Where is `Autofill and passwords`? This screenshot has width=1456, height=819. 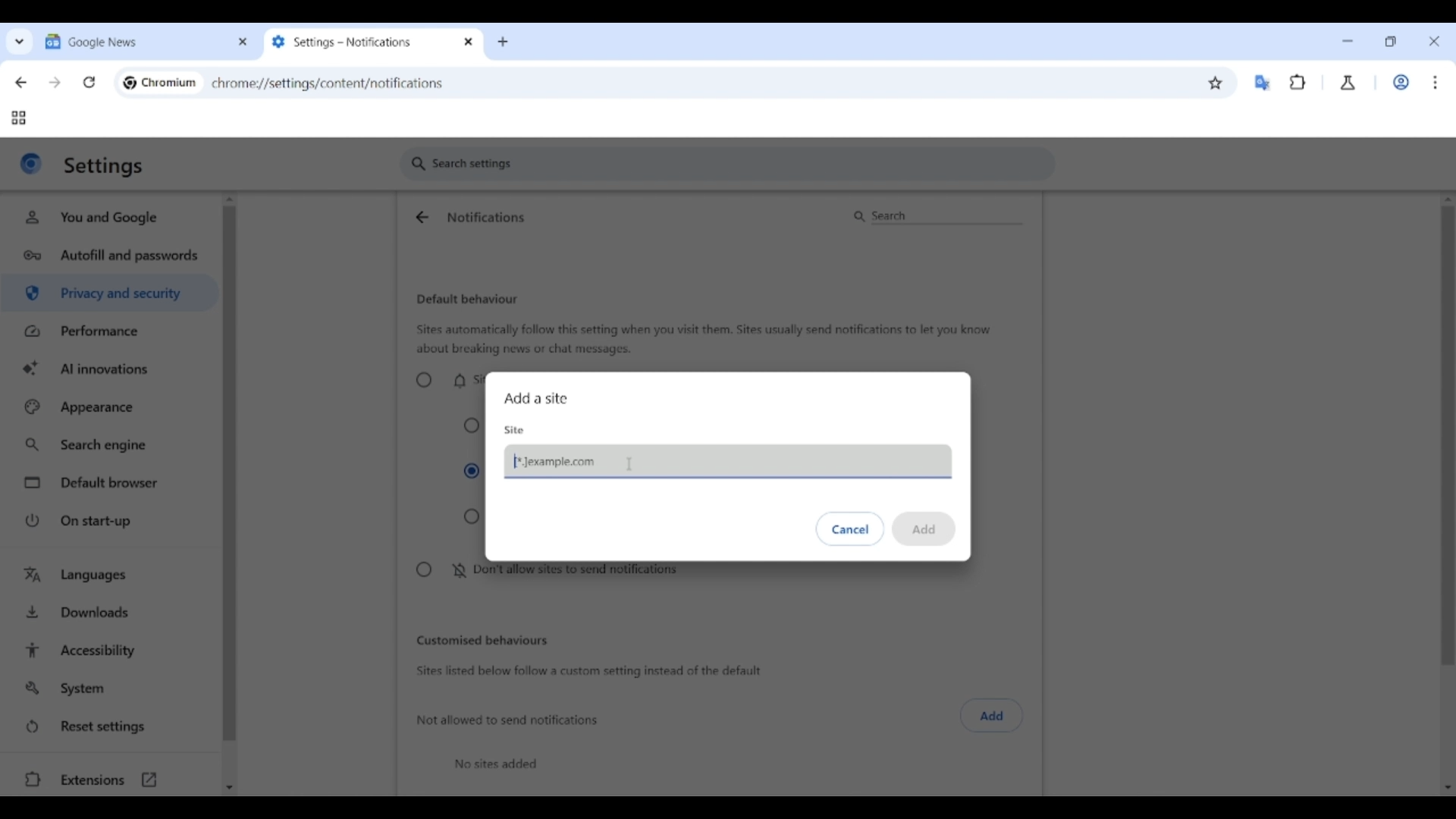 Autofill and passwords is located at coordinates (112, 256).